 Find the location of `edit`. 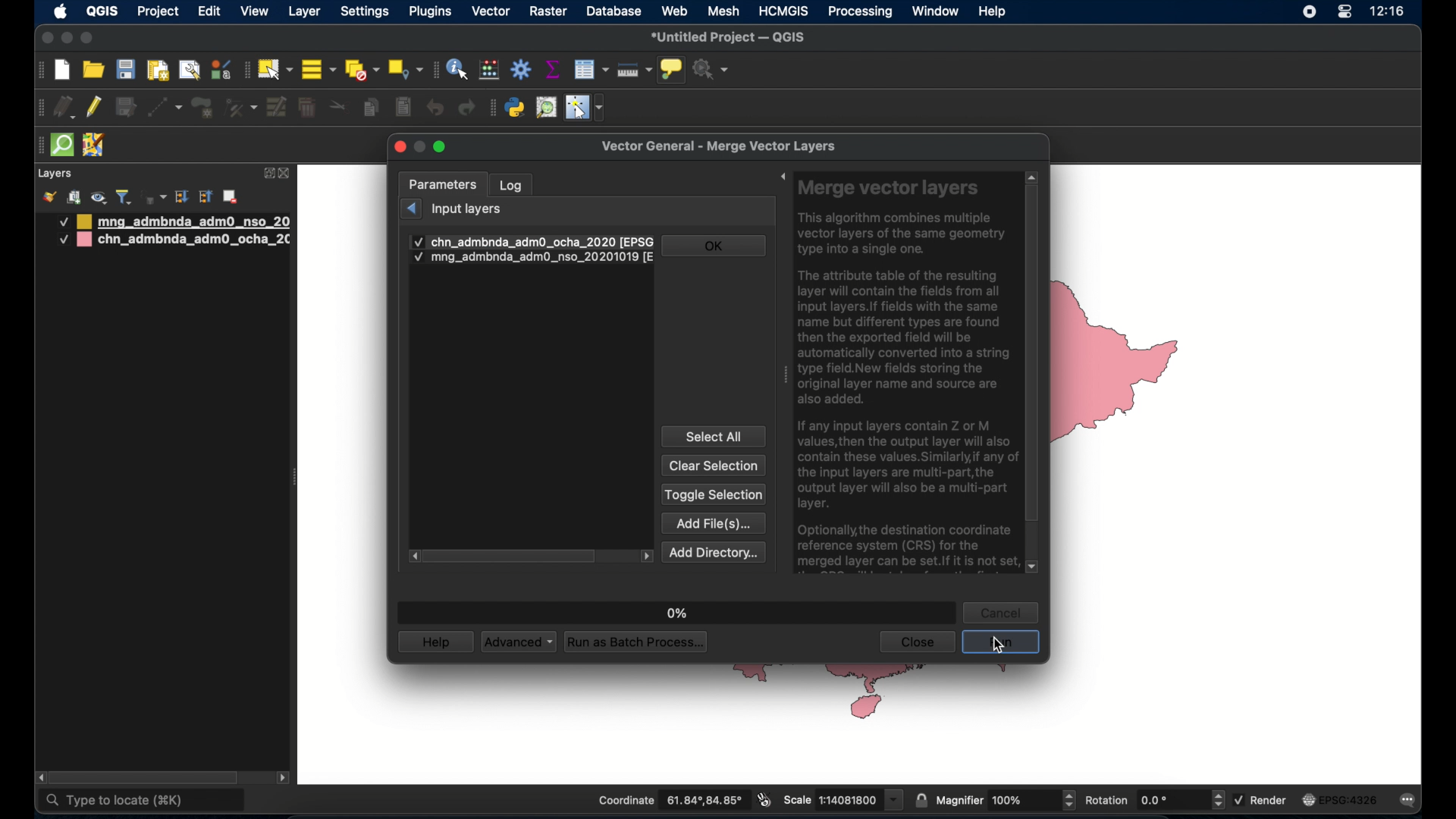

edit is located at coordinates (209, 13).